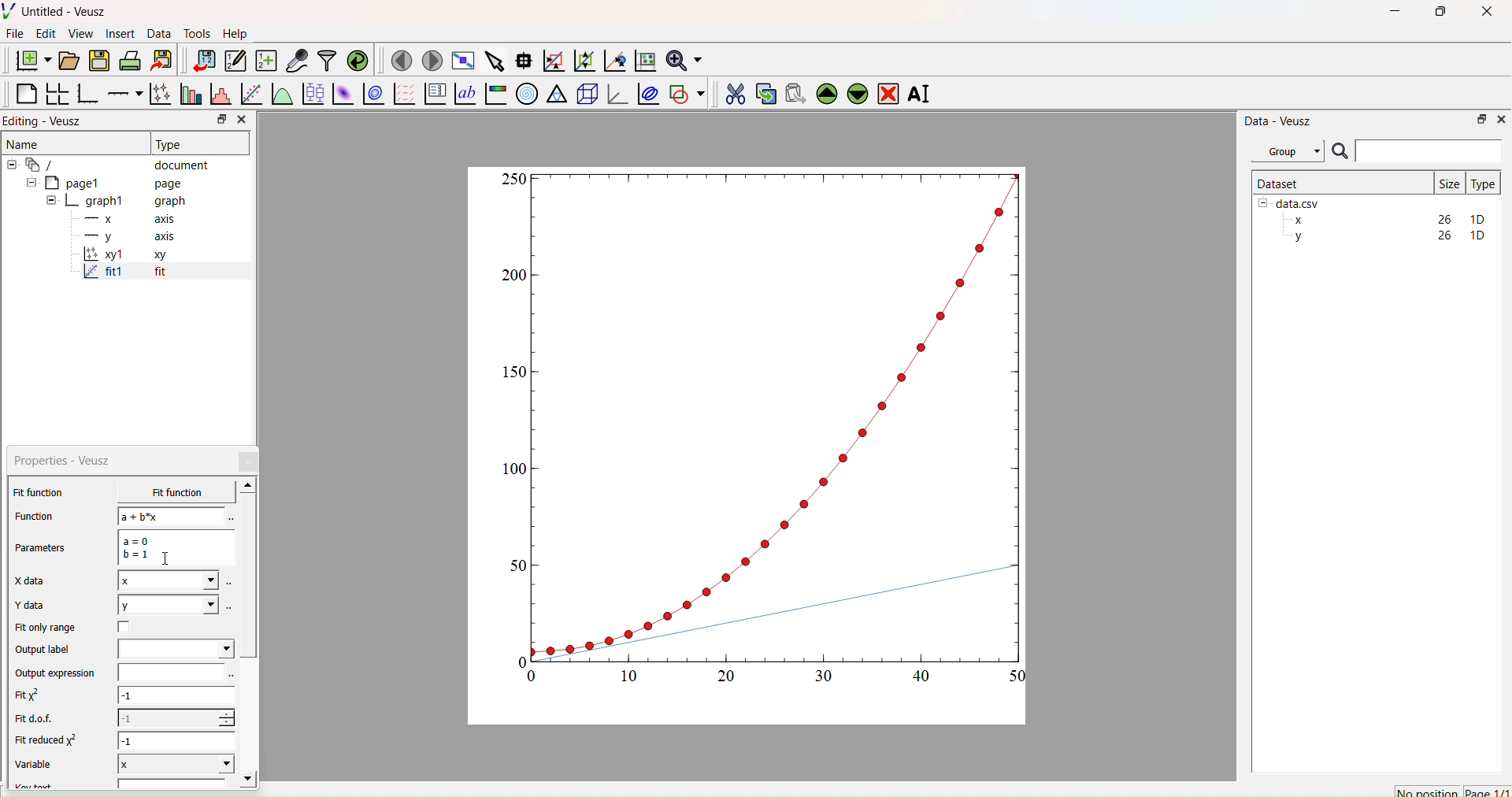 The image size is (1512, 797). What do you see at coordinates (123, 275) in the screenshot?
I see `fit1 fit` at bounding box center [123, 275].